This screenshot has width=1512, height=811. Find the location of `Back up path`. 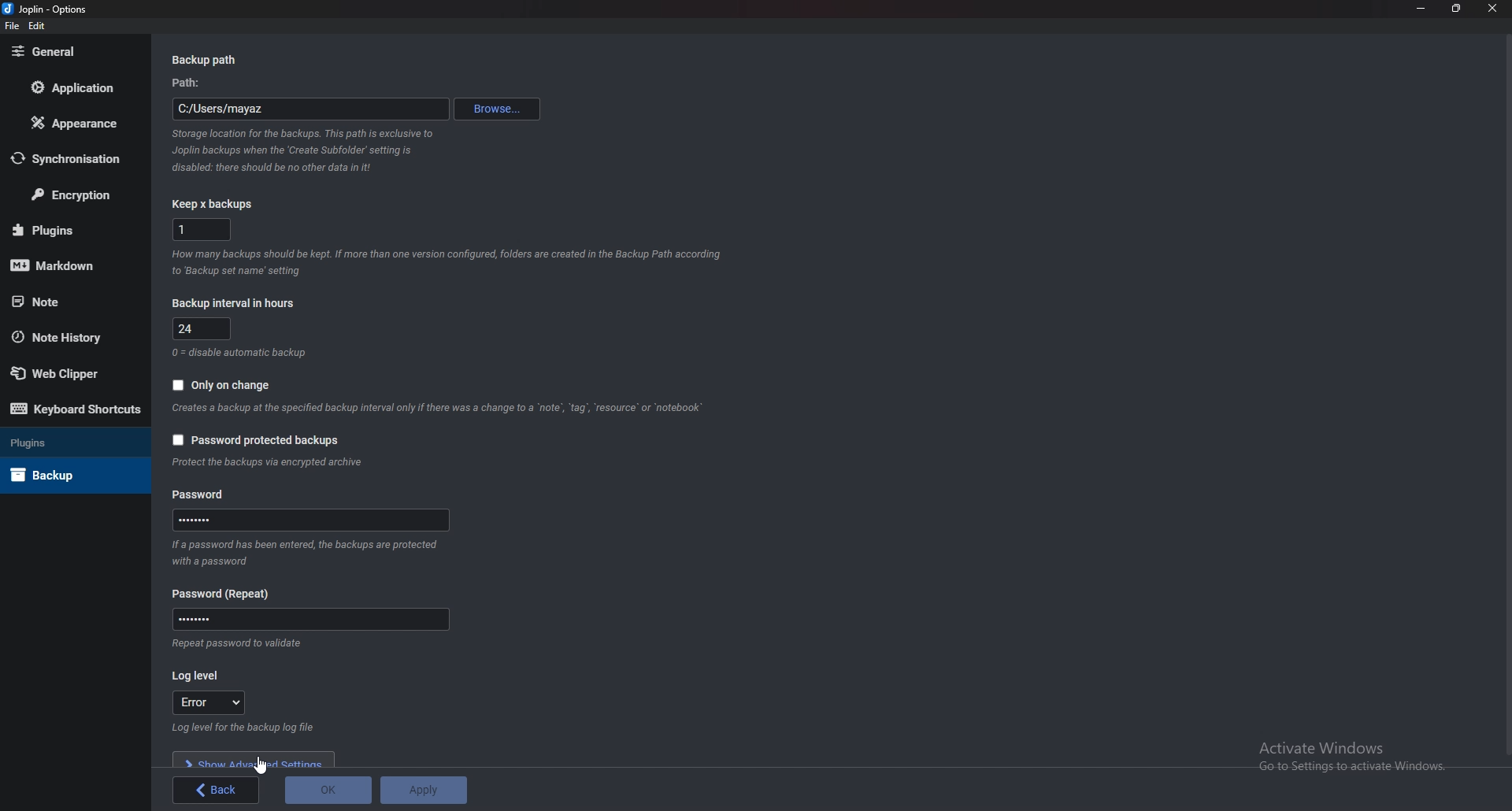

Back up path is located at coordinates (208, 61).